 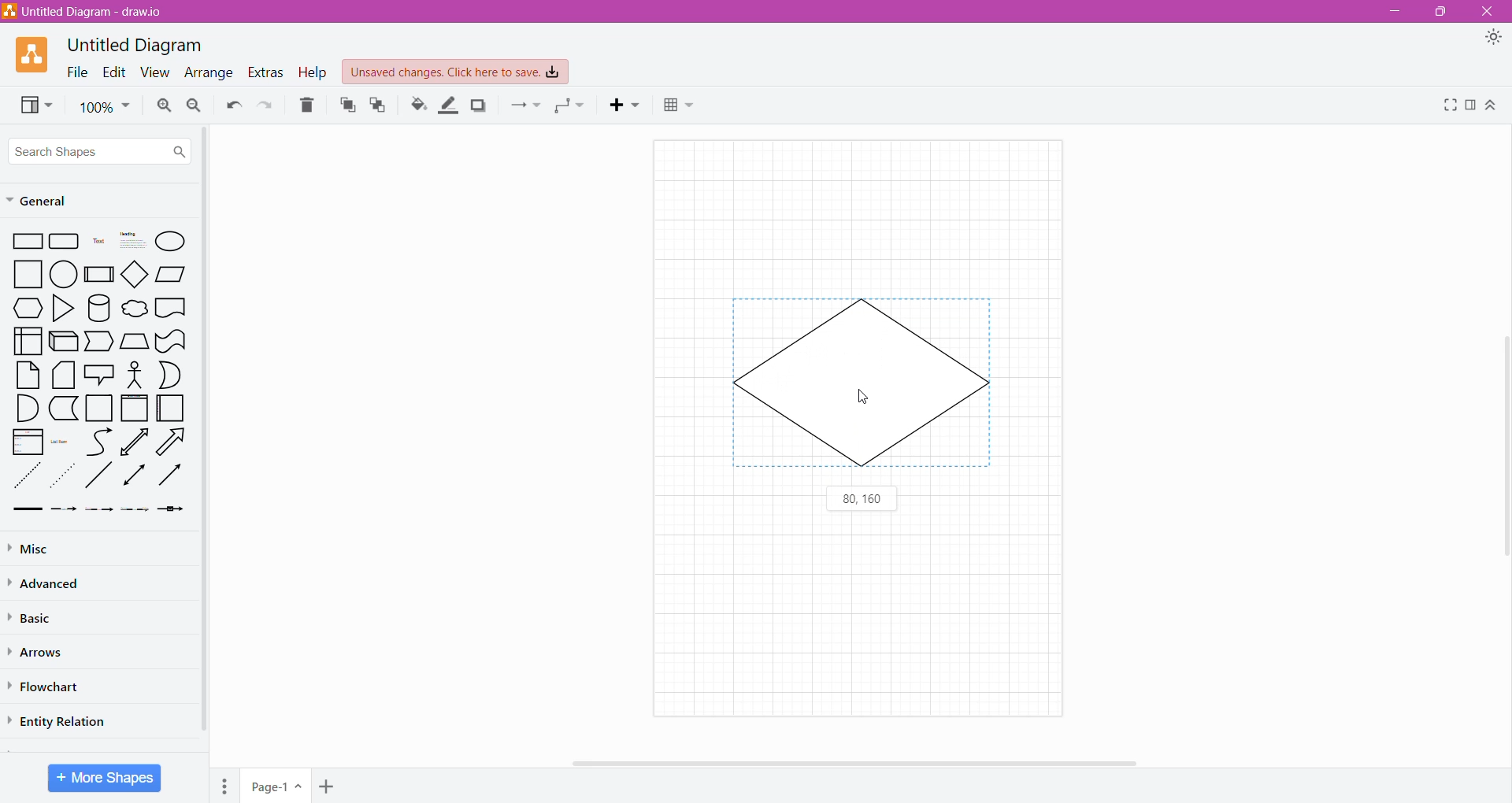 What do you see at coordinates (865, 400) in the screenshot?
I see `Cursor Position` at bounding box center [865, 400].